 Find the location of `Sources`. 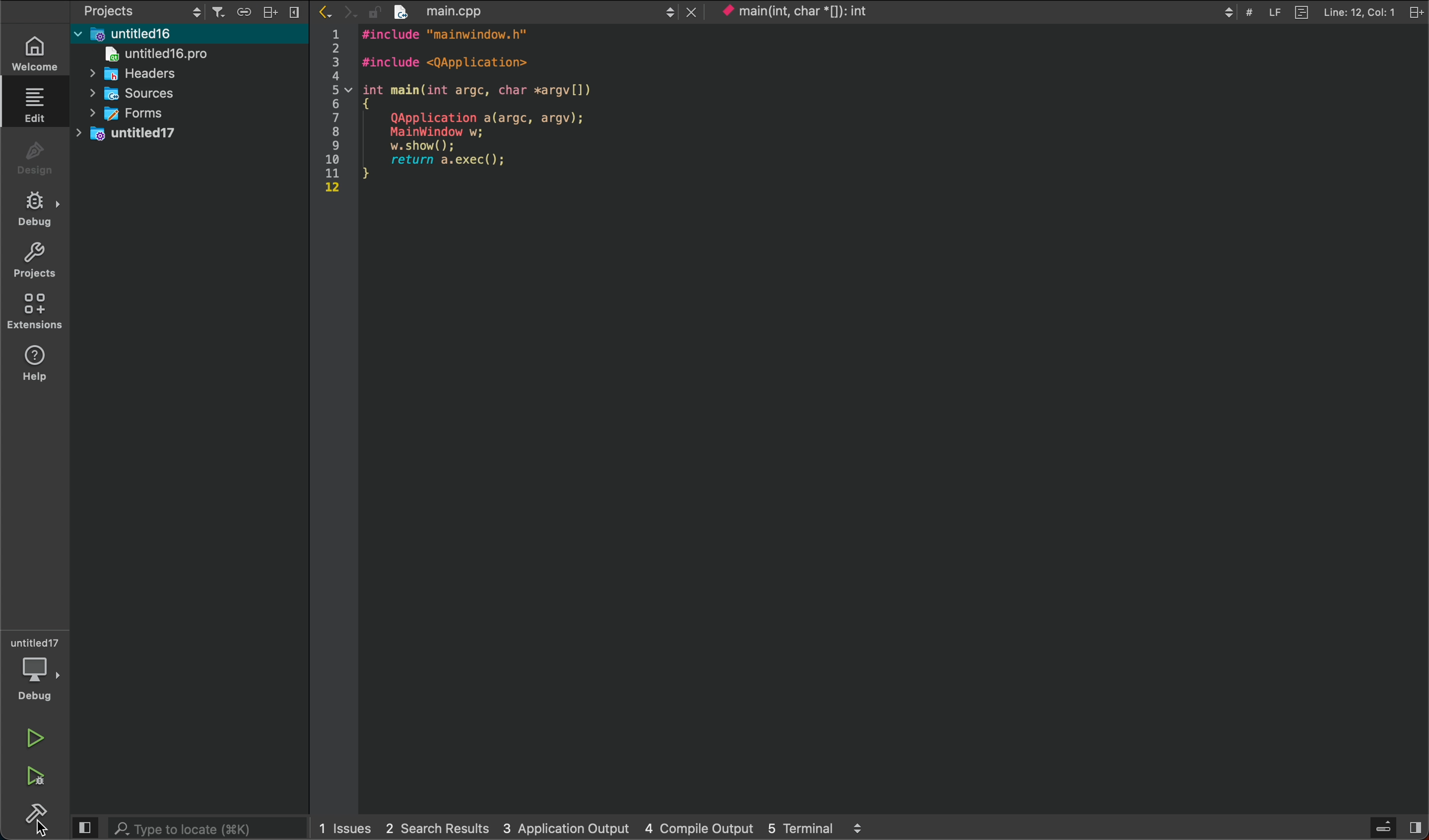

Sources is located at coordinates (149, 92).